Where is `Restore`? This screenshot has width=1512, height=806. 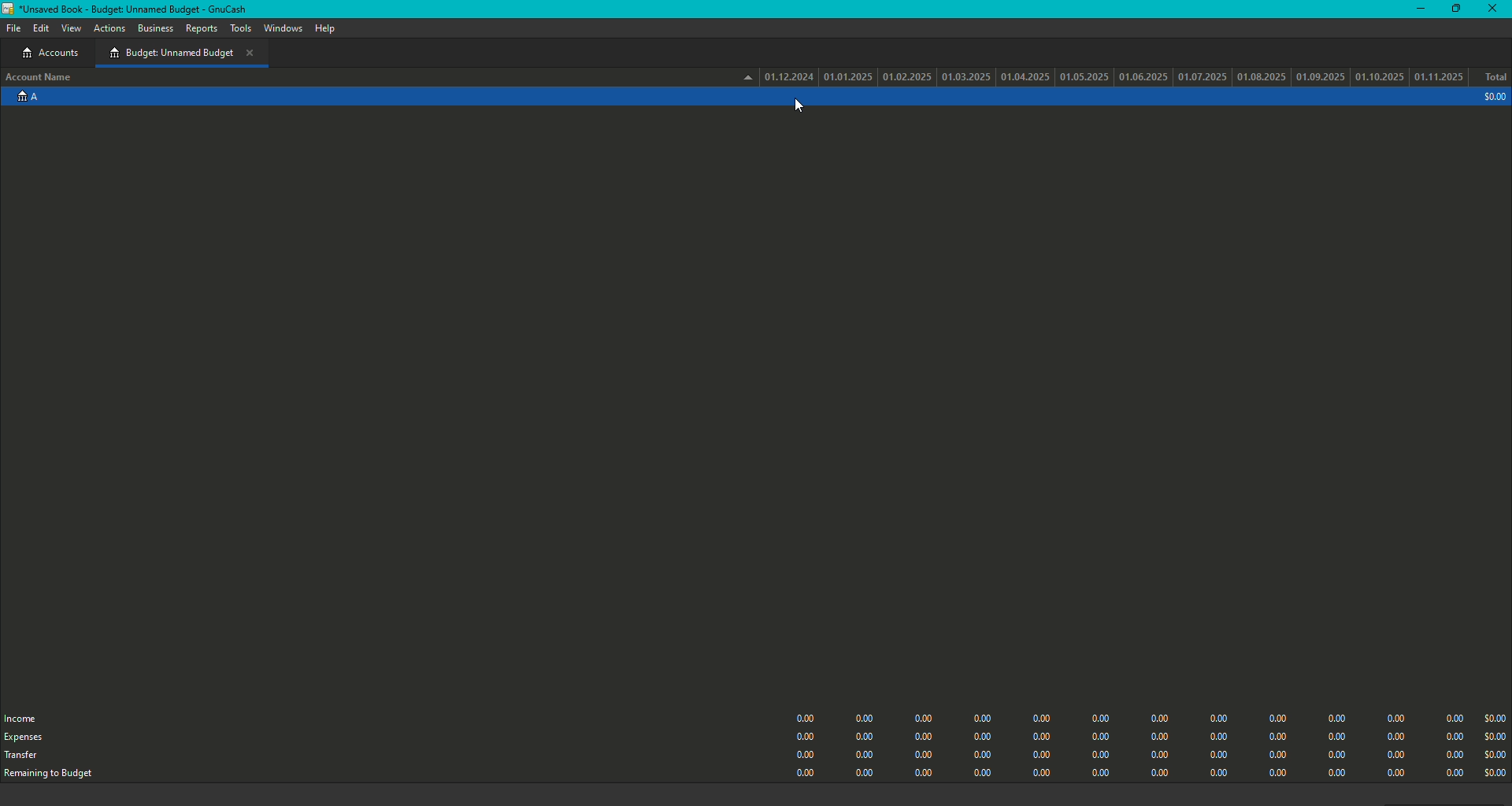 Restore is located at coordinates (1454, 9).